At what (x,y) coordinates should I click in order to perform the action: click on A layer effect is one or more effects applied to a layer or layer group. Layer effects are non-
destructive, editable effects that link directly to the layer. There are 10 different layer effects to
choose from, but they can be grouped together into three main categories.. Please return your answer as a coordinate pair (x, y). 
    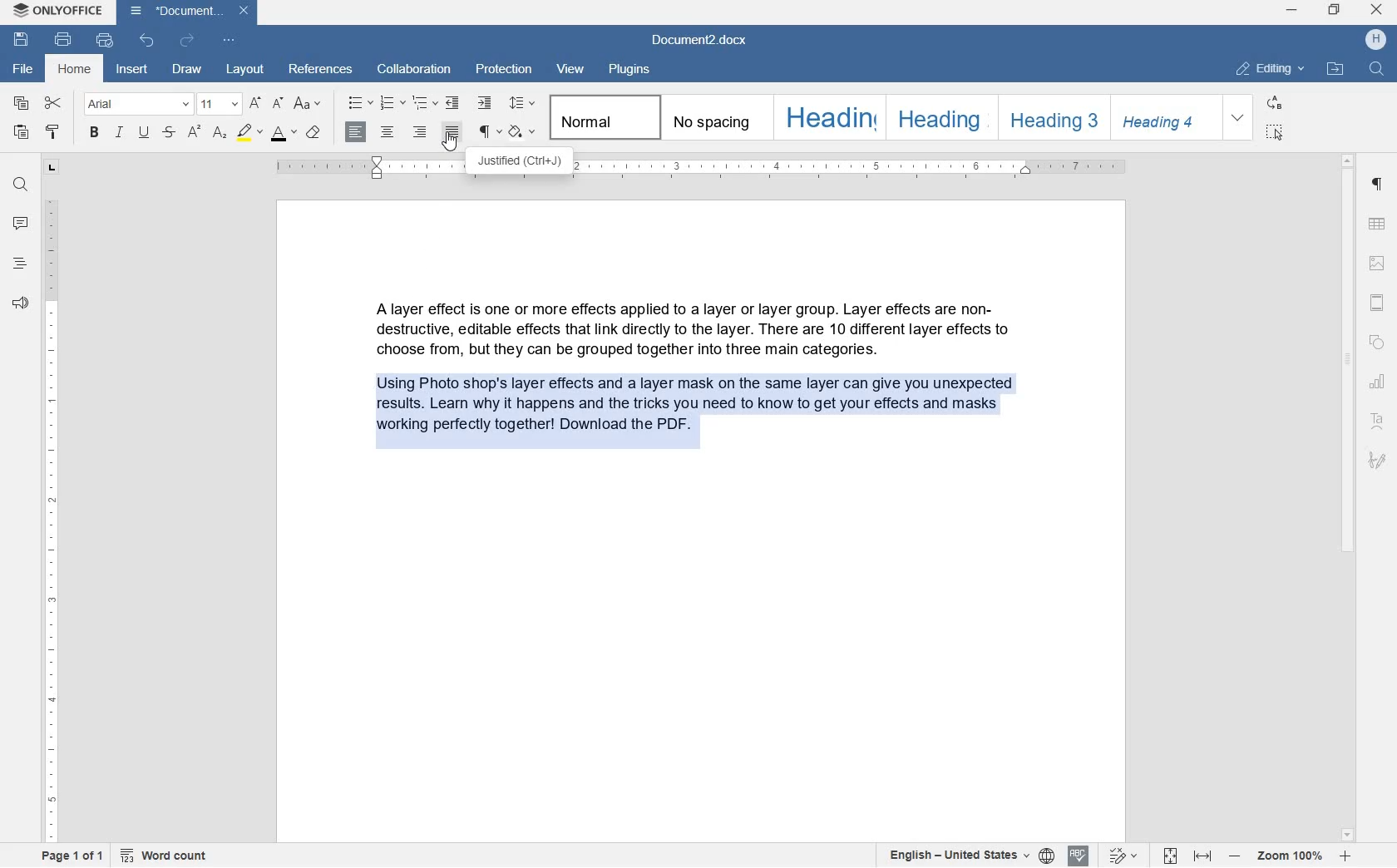
    Looking at the image, I should click on (700, 326).